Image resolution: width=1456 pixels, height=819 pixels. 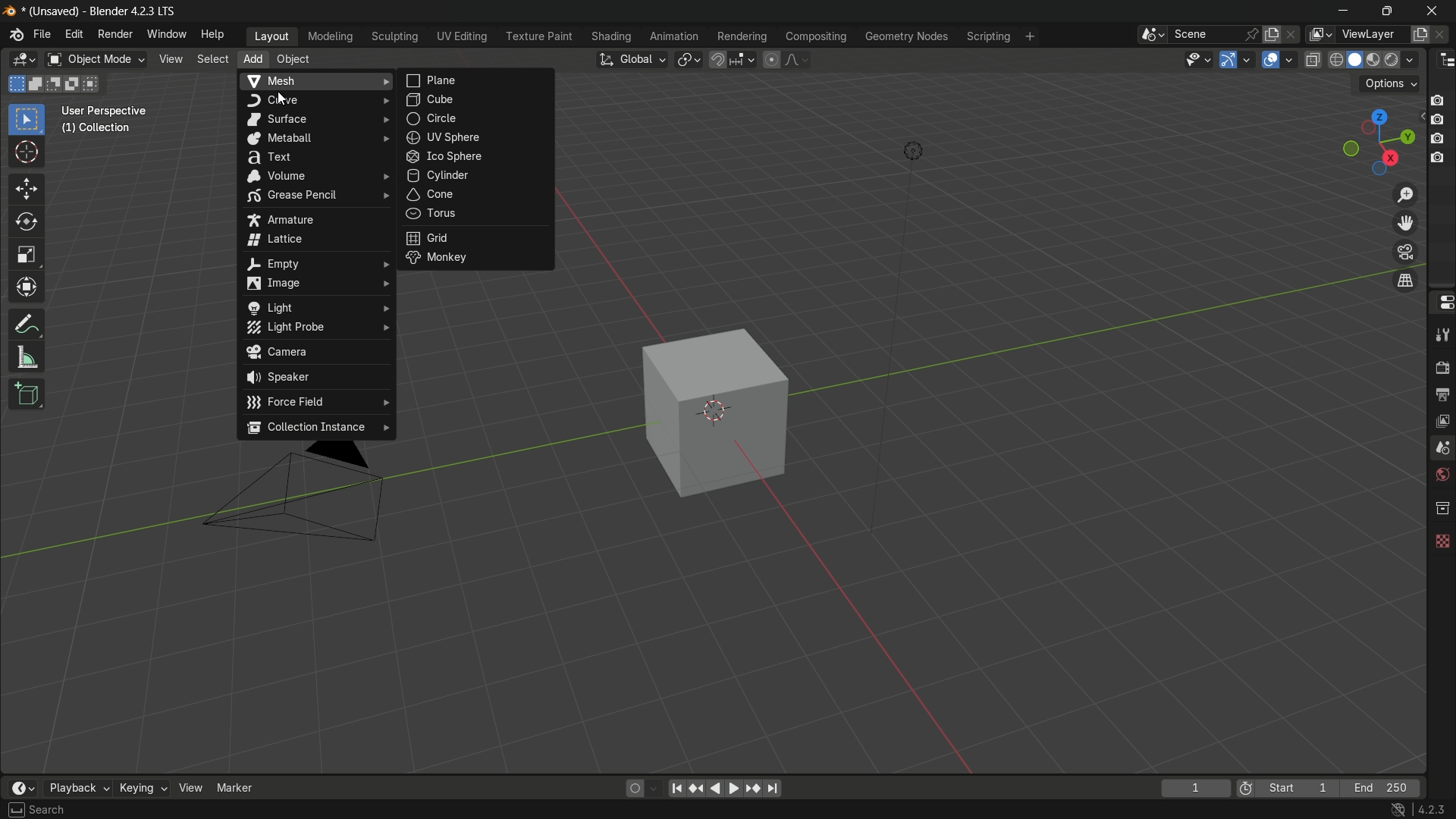 What do you see at coordinates (1205, 34) in the screenshot?
I see `scene name` at bounding box center [1205, 34].